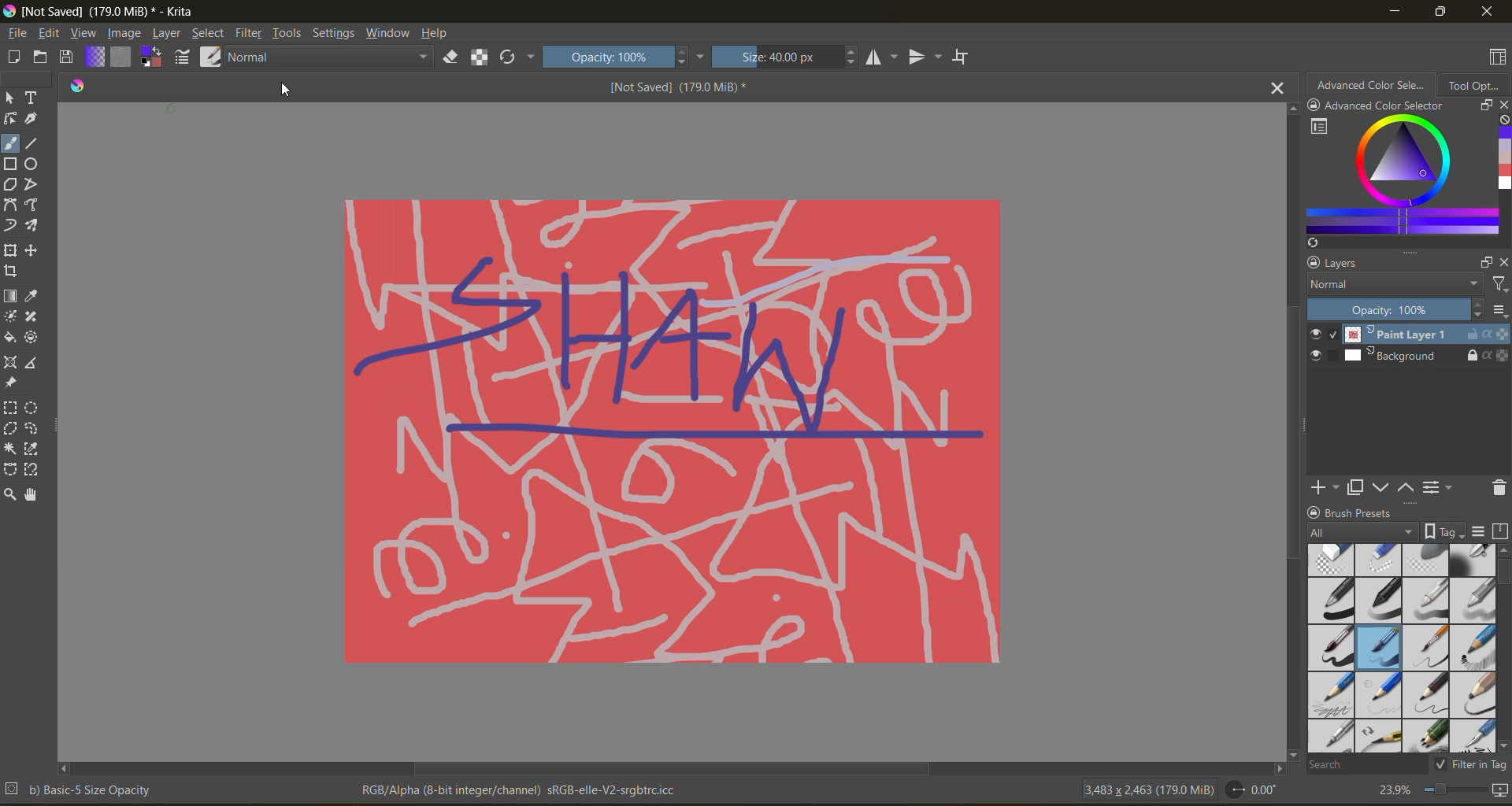 The image size is (1512, 806). I want to click on scroll left, so click(65, 765).